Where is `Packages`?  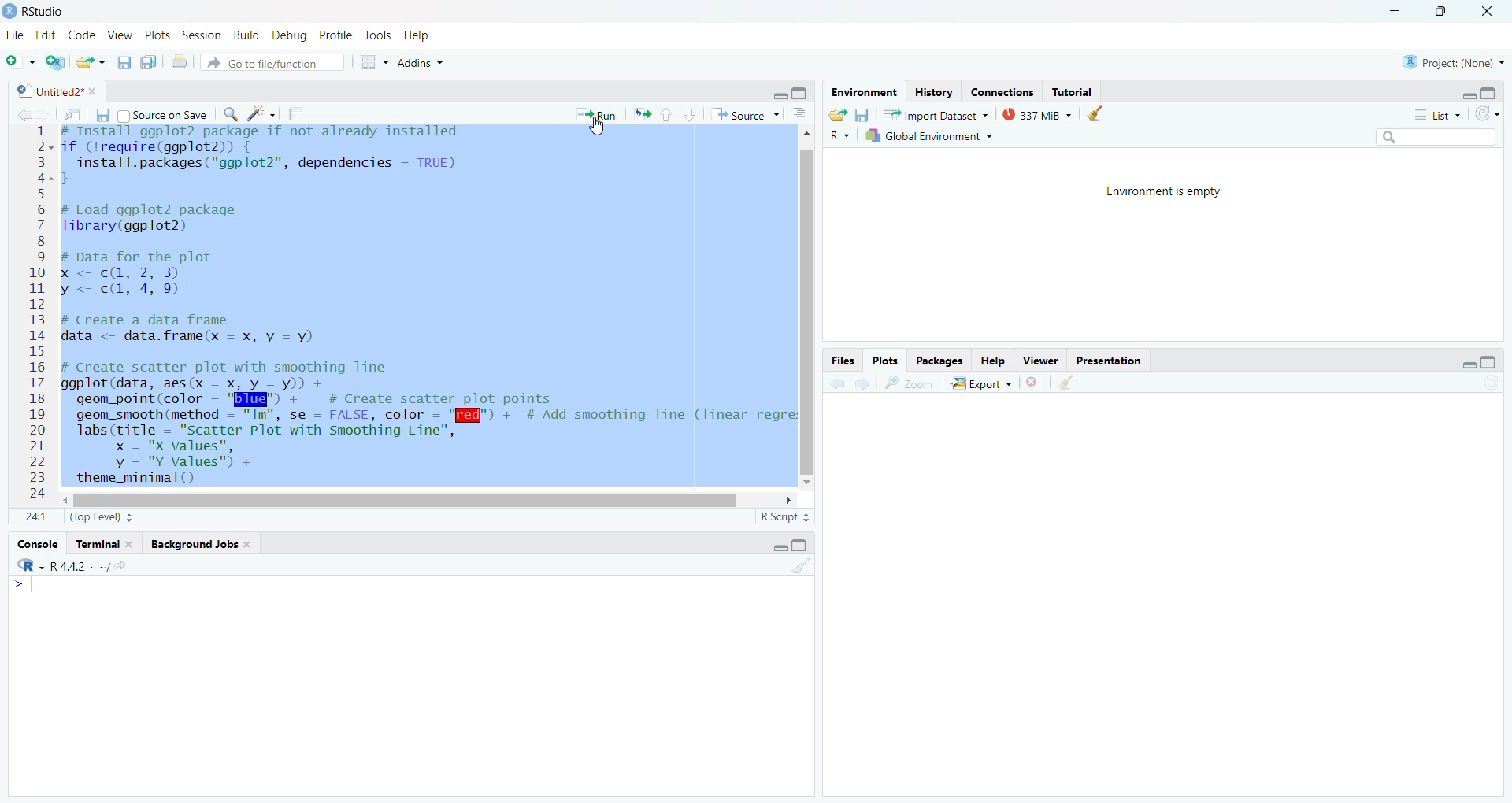
Packages is located at coordinates (943, 361).